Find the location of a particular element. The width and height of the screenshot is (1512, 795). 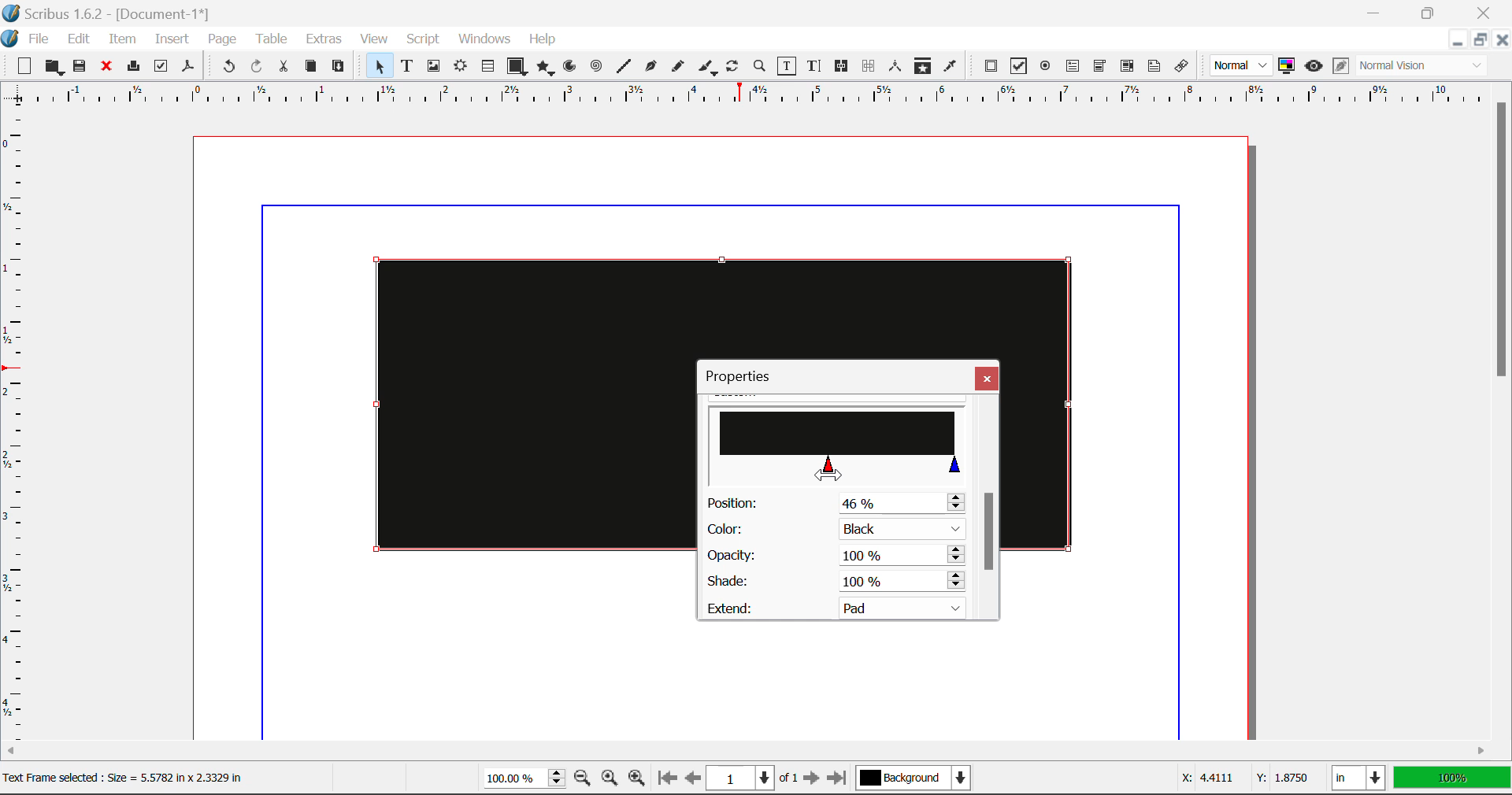

Redo is located at coordinates (257, 68).